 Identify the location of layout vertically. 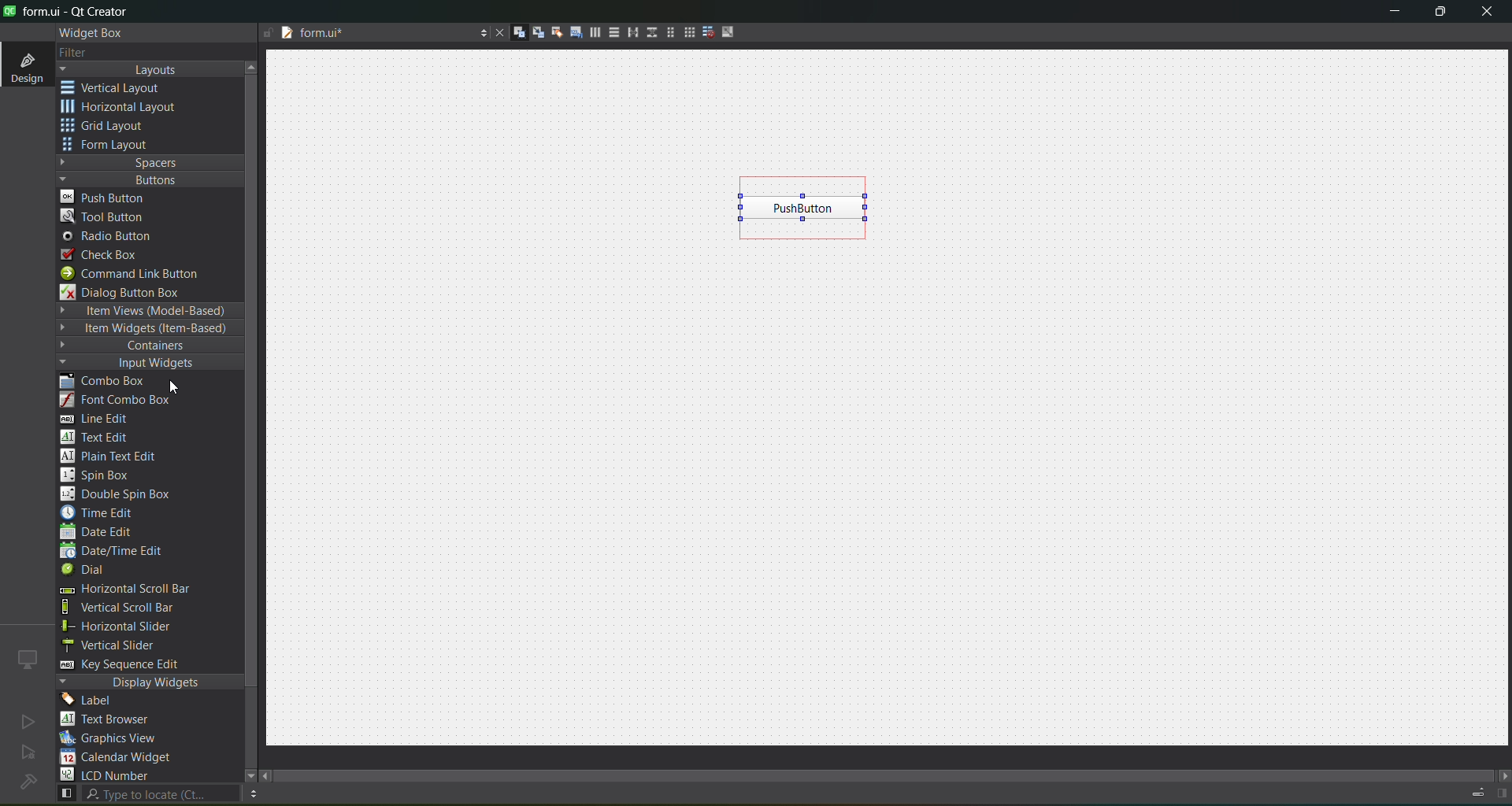
(610, 31).